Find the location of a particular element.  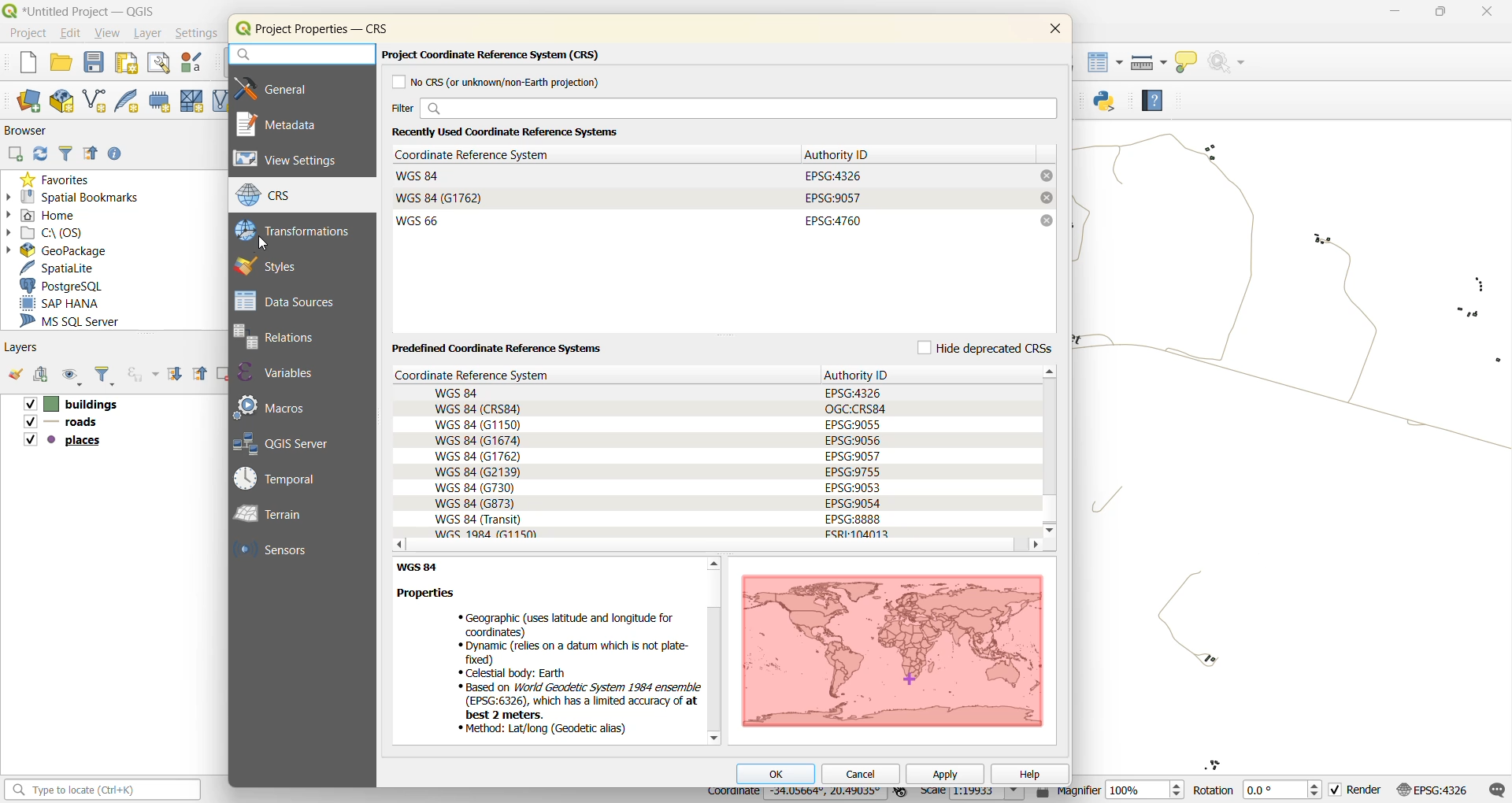

EPSG:4326 is located at coordinates (835, 175).